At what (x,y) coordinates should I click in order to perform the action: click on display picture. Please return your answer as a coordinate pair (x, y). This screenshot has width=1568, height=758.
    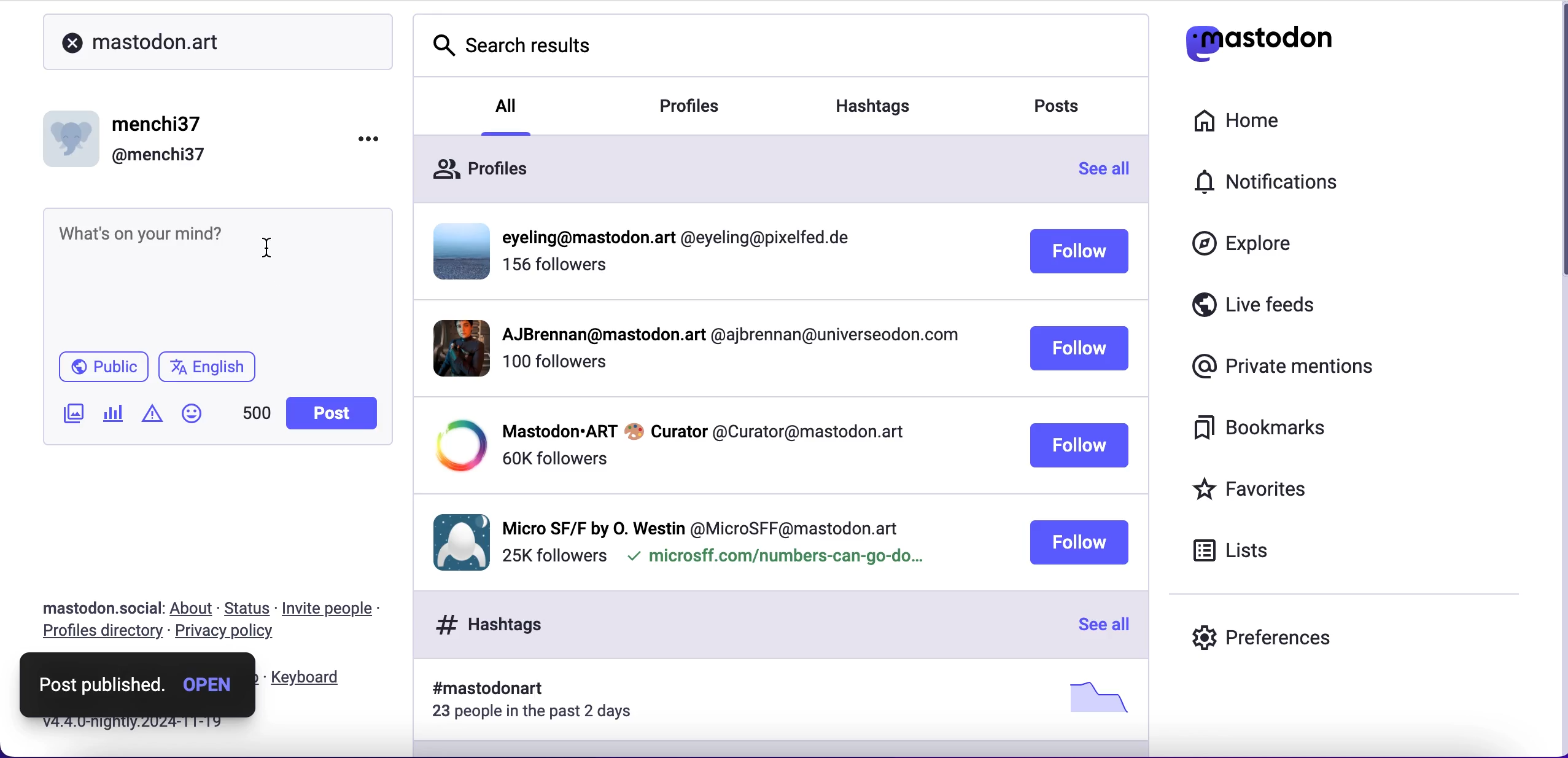
    Looking at the image, I should click on (456, 446).